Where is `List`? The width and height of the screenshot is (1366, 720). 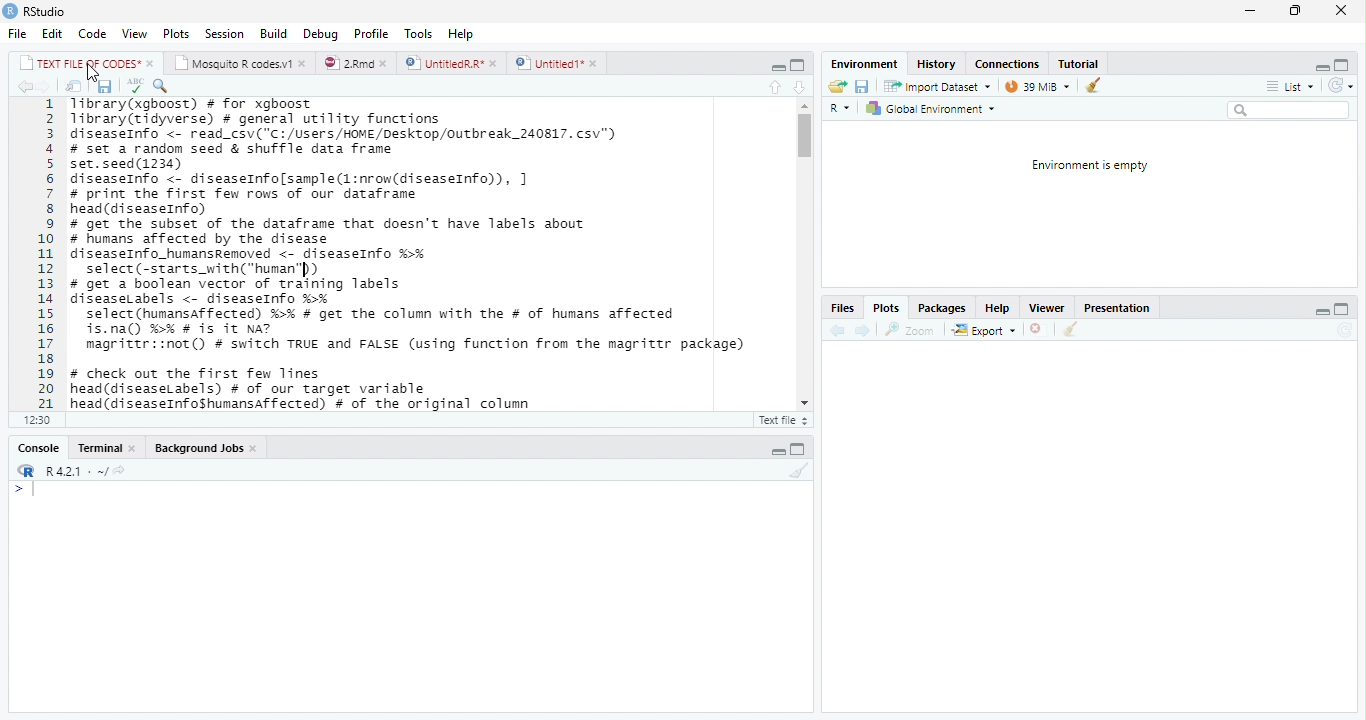
List is located at coordinates (1289, 85).